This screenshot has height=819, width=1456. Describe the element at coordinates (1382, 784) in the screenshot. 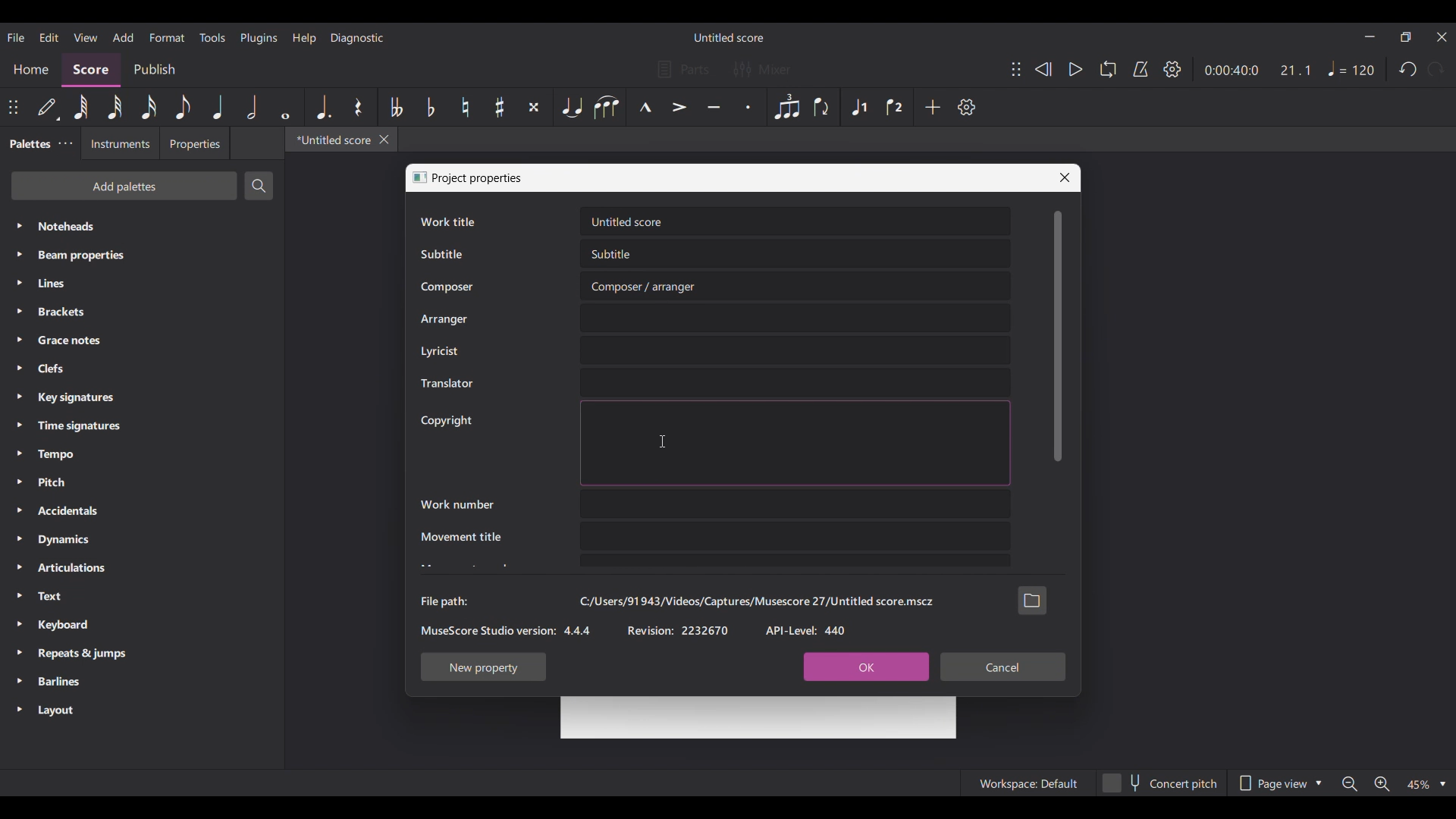

I see `Zoom in` at that location.